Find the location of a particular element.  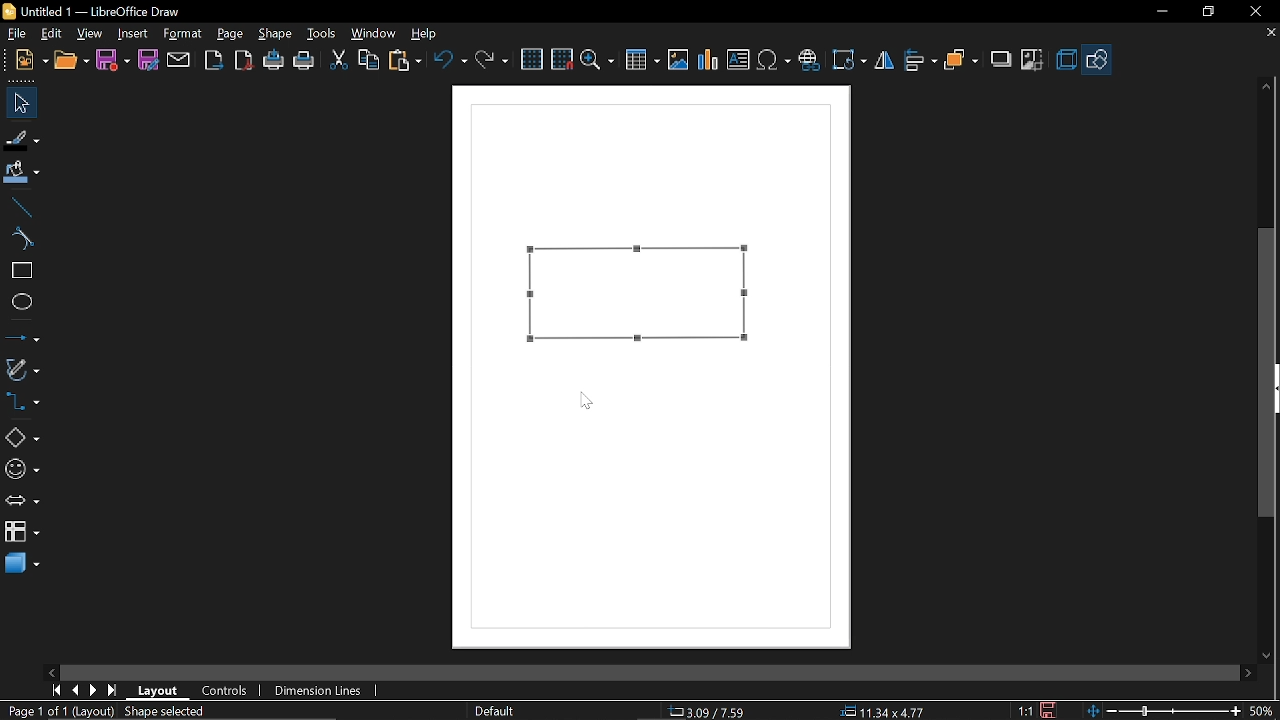

insert is located at coordinates (136, 34).